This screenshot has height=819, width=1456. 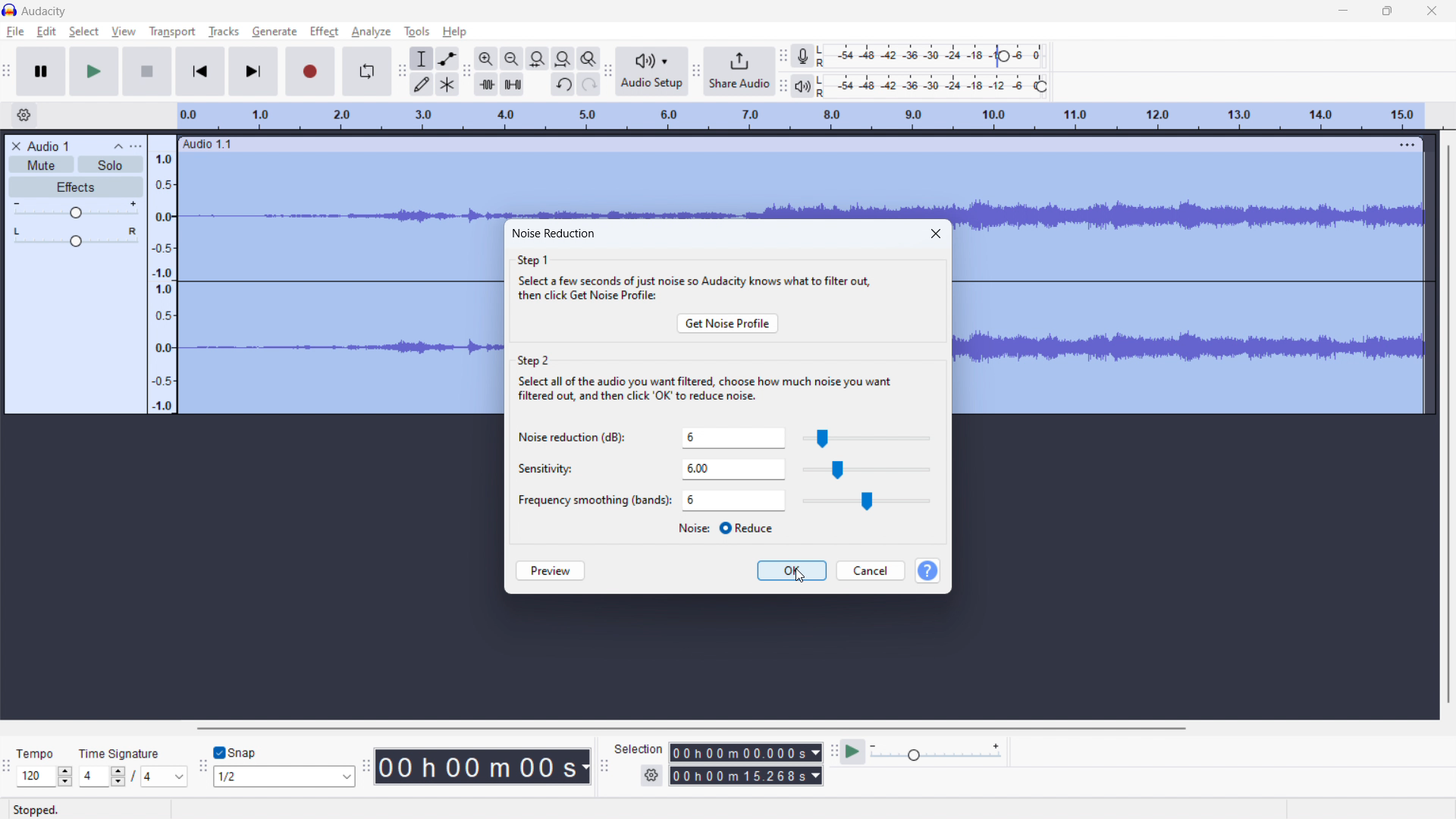 I want to click on recording meter, so click(x=802, y=57).